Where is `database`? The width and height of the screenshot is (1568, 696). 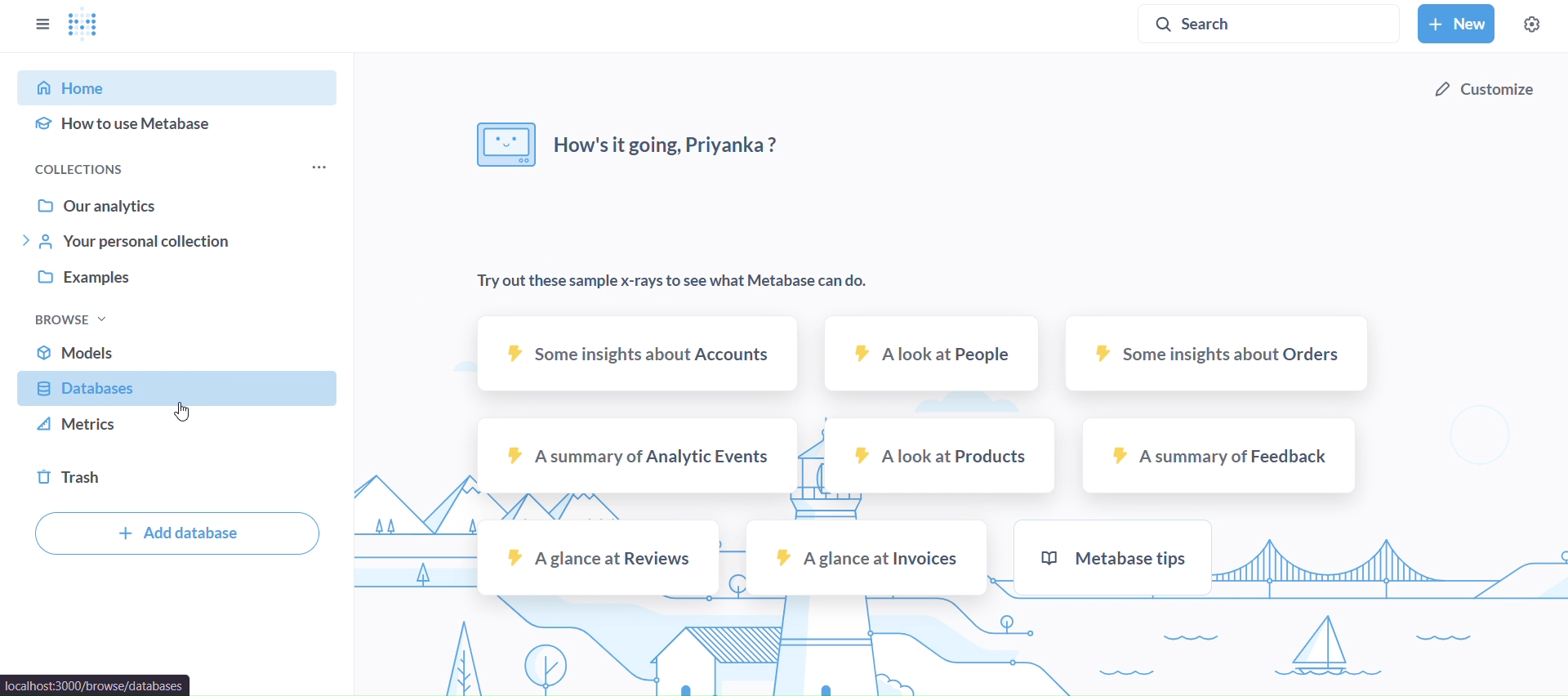 database is located at coordinates (180, 390).